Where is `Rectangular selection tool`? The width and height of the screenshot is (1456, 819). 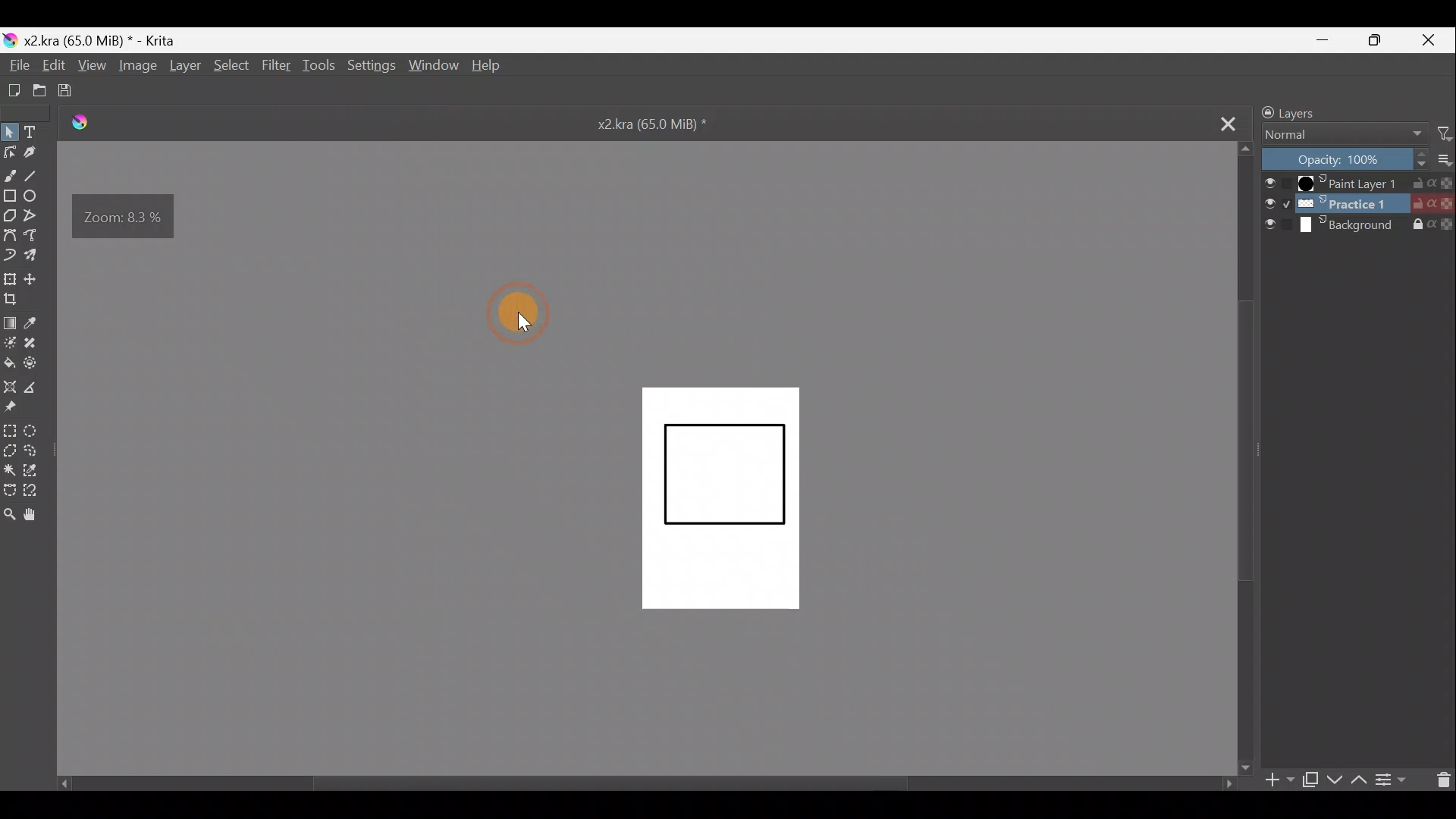
Rectangular selection tool is located at coordinates (9, 429).